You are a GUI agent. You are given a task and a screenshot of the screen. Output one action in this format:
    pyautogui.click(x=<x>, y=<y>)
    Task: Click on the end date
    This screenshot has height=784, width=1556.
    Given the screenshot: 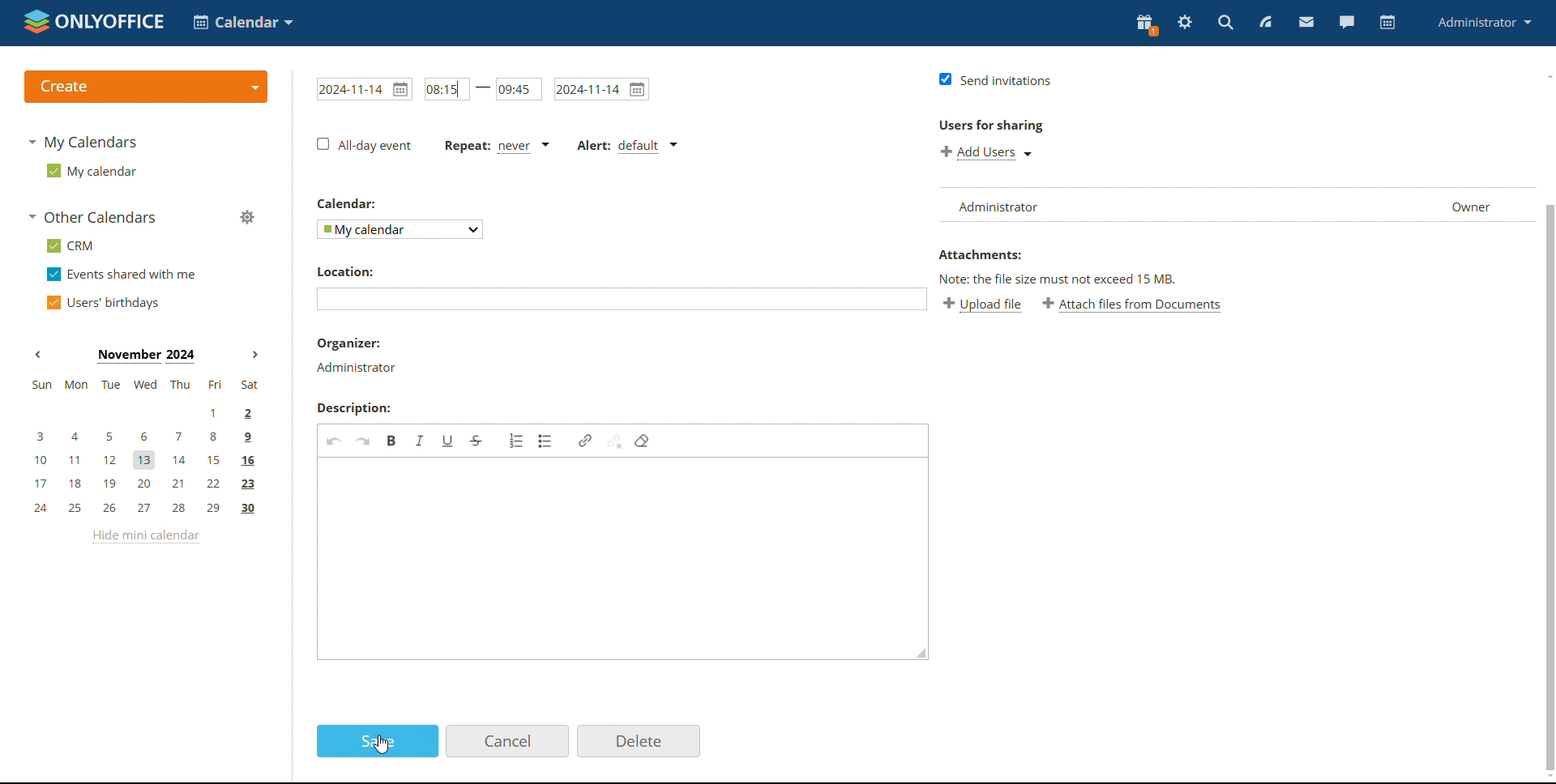 What is the action you would take?
    pyautogui.click(x=601, y=88)
    